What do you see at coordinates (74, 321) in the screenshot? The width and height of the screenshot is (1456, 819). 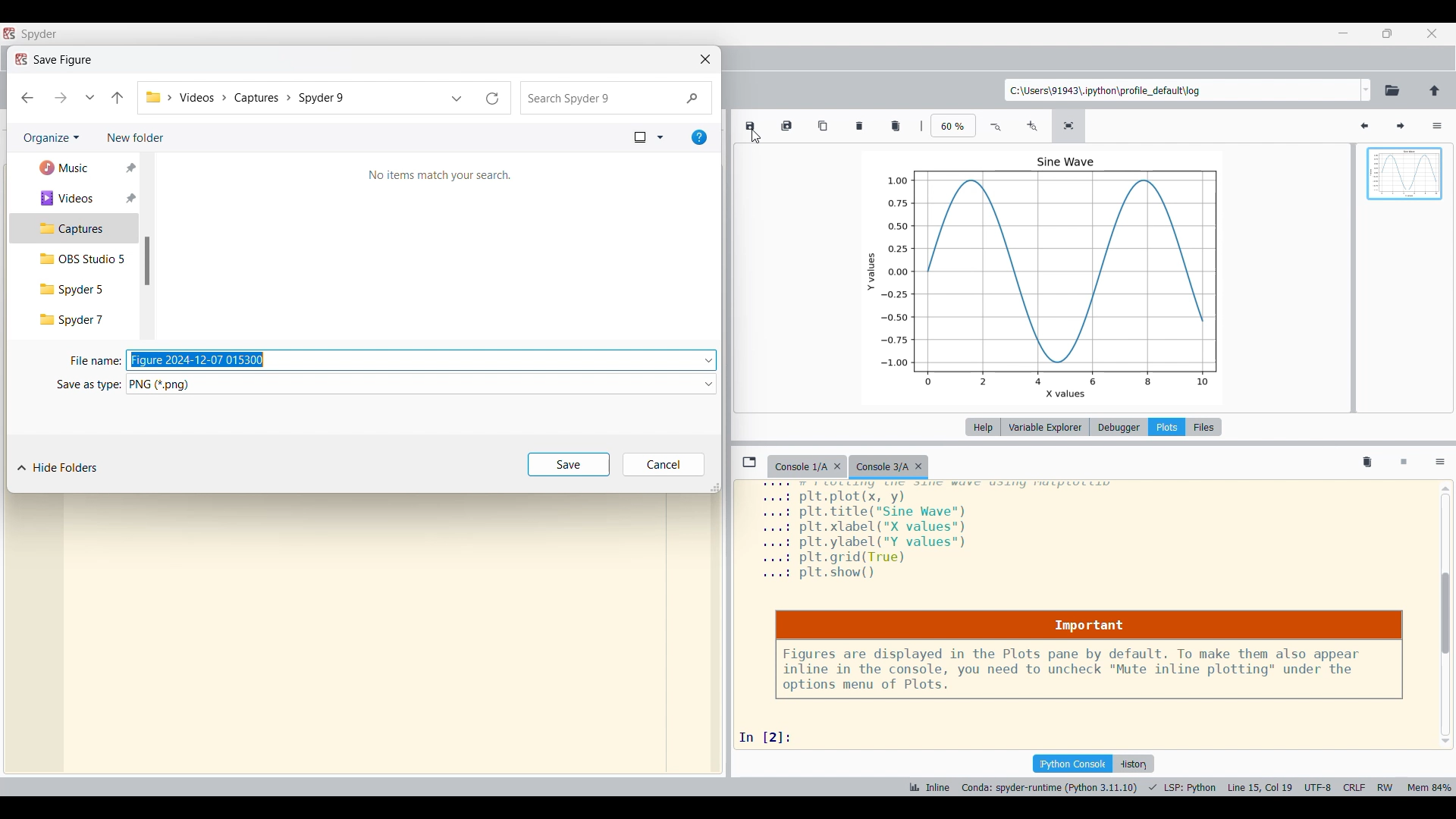 I see `Spyder 7` at bounding box center [74, 321].